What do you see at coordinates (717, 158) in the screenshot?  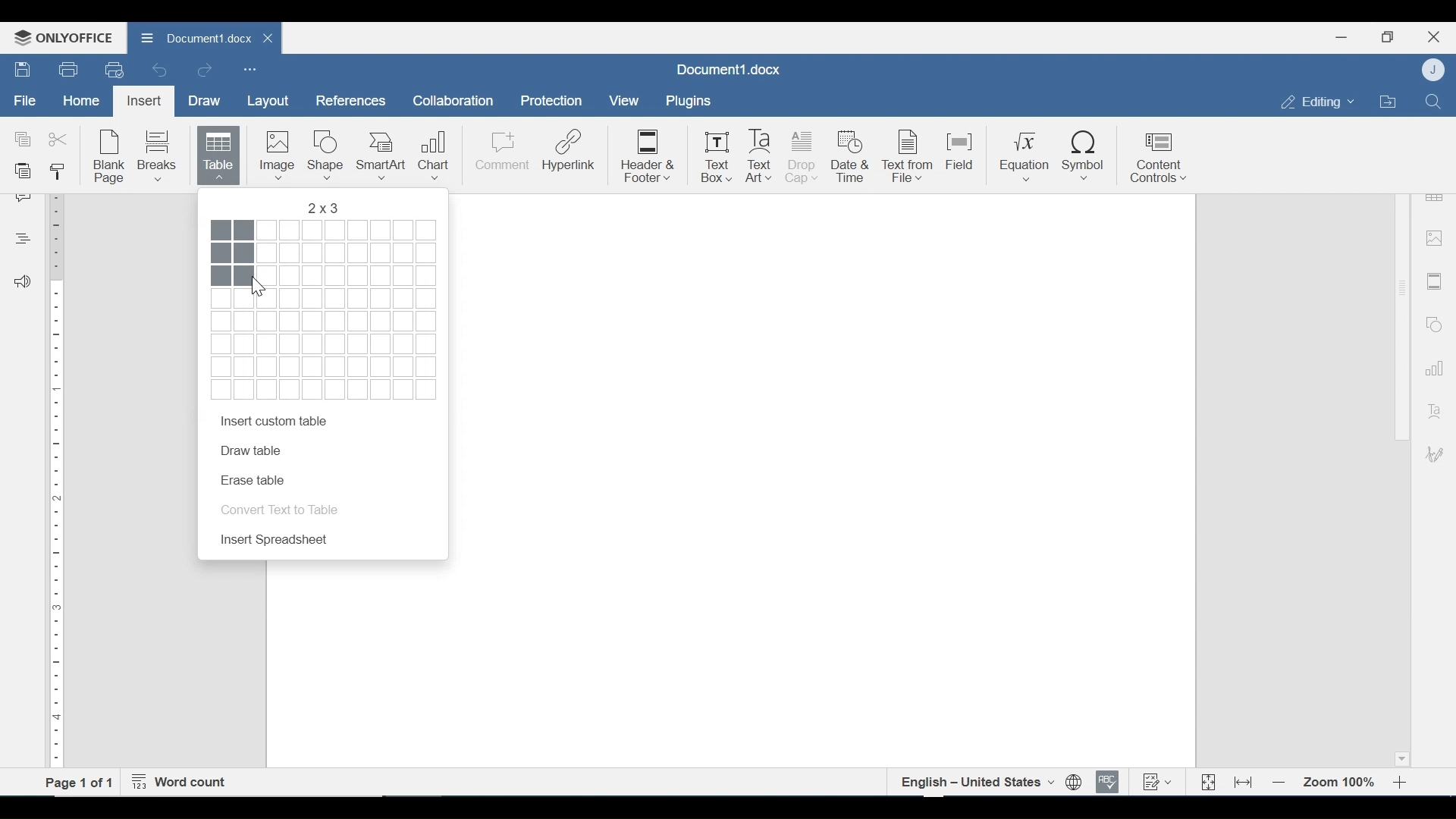 I see `Text Box` at bounding box center [717, 158].